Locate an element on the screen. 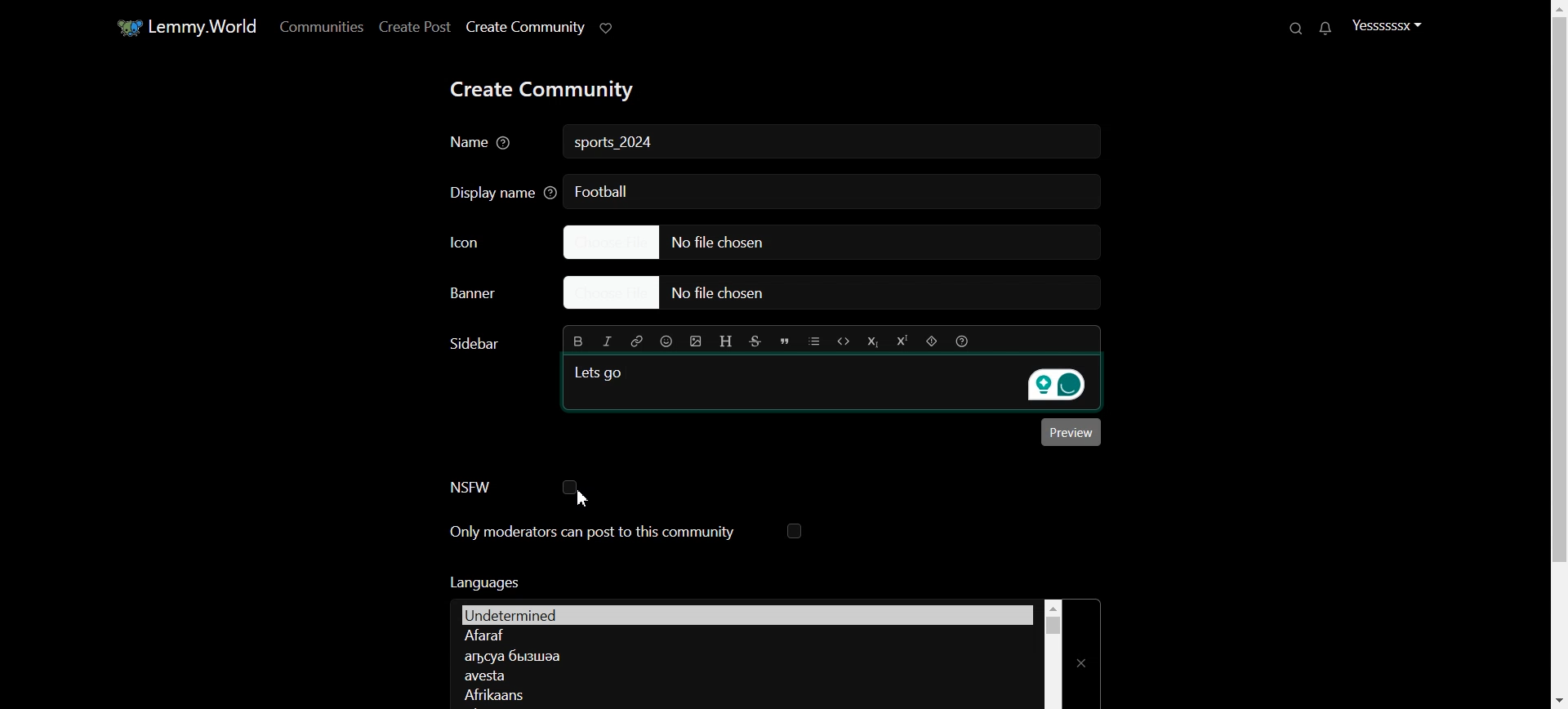 This screenshot has width=1568, height=709. Support Lemmy is located at coordinates (608, 27).